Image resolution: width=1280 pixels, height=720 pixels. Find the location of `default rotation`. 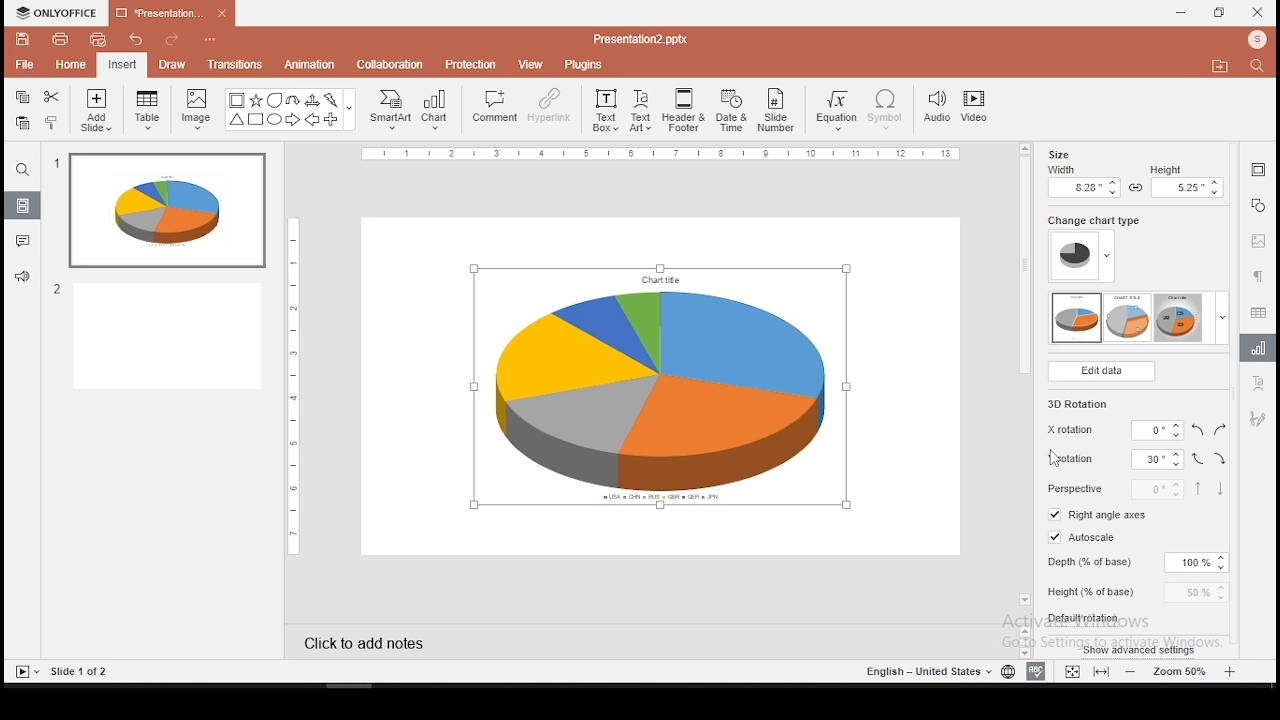

default rotation is located at coordinates (1086, 617).